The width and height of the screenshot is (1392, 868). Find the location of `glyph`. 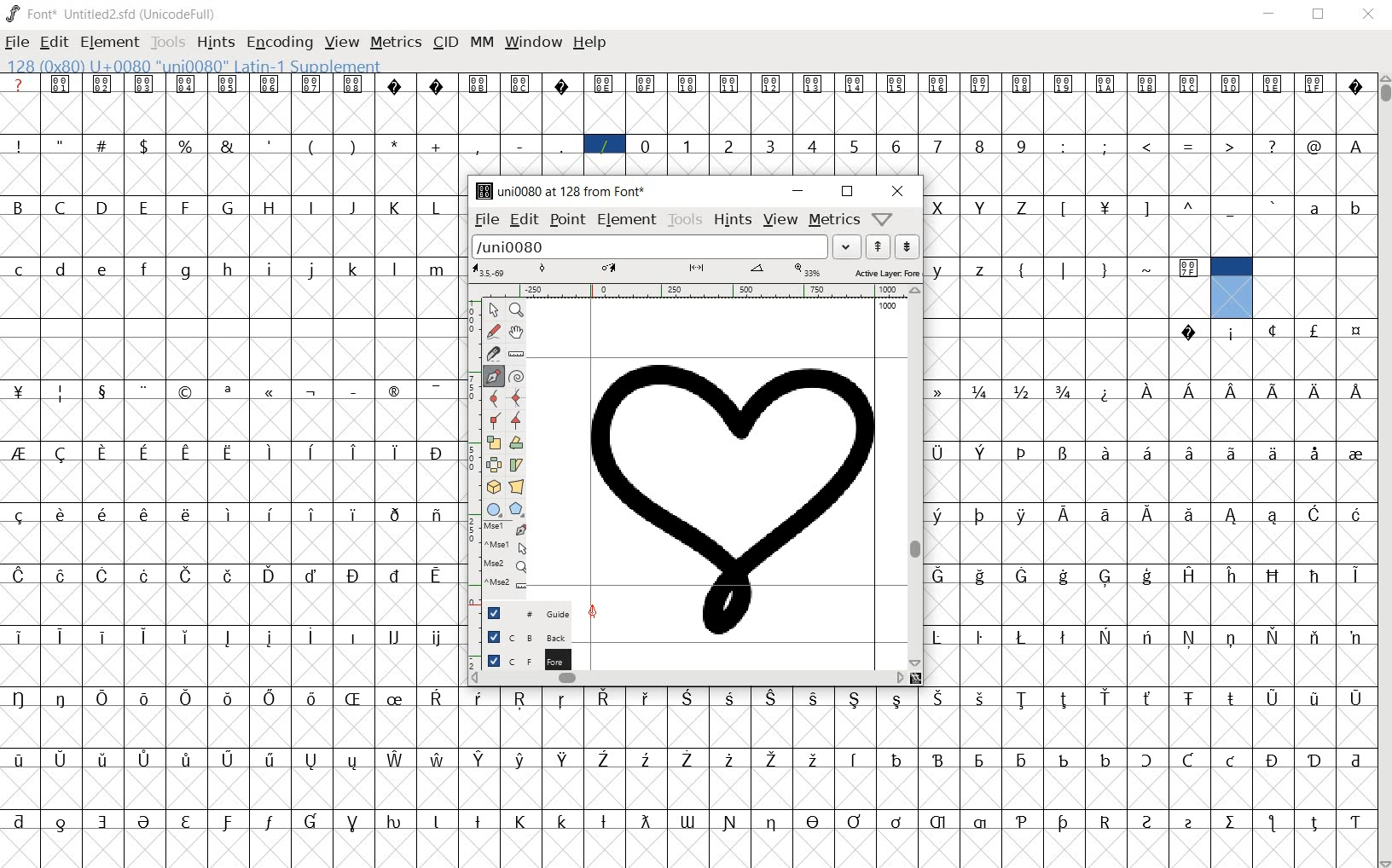

glyph is located at coordinates (60, 143).